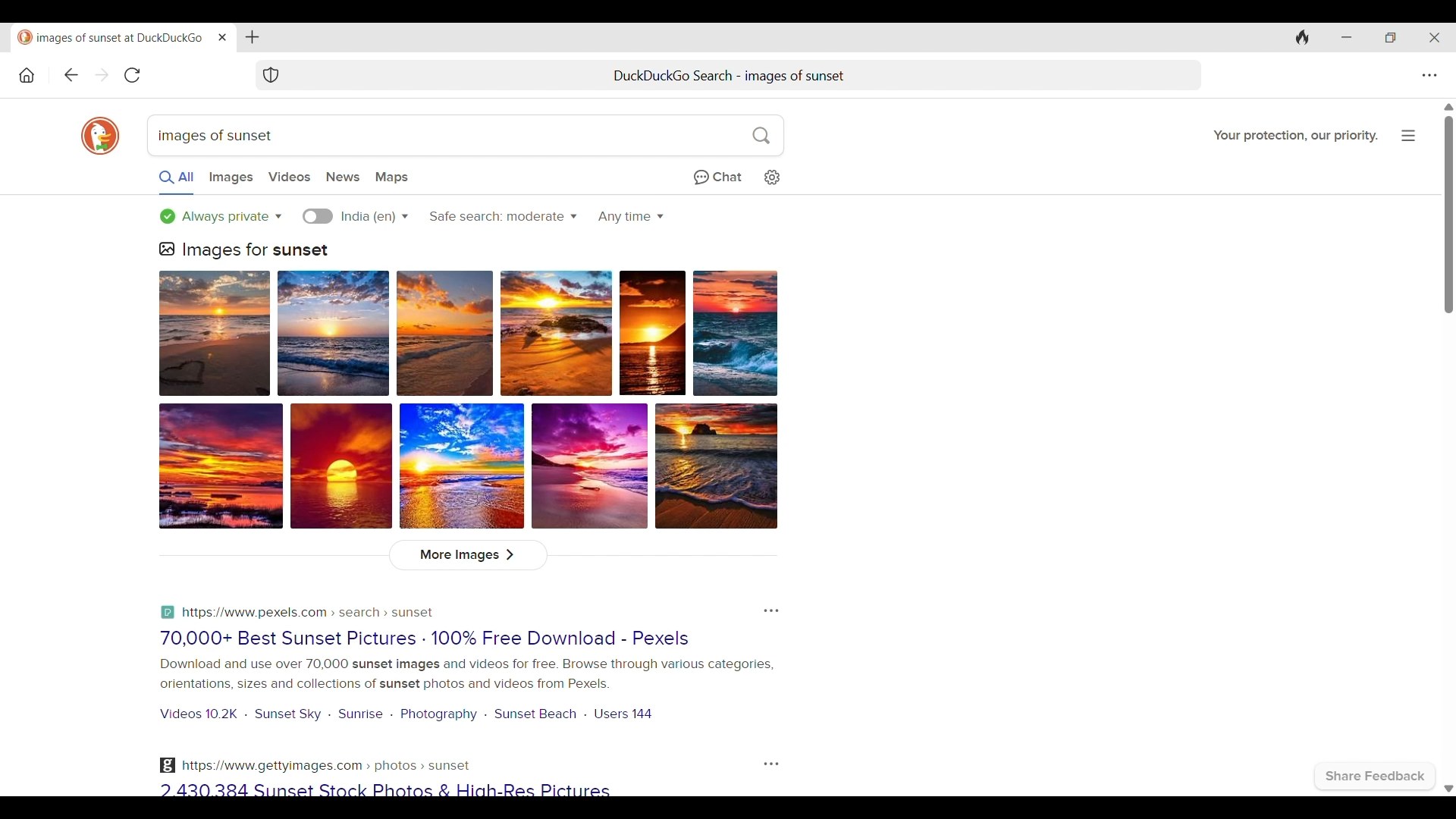  What do you see at coordinates (1303, 37) in the screenshot?
I see `Clear history` at bounding box center [1303, 37].